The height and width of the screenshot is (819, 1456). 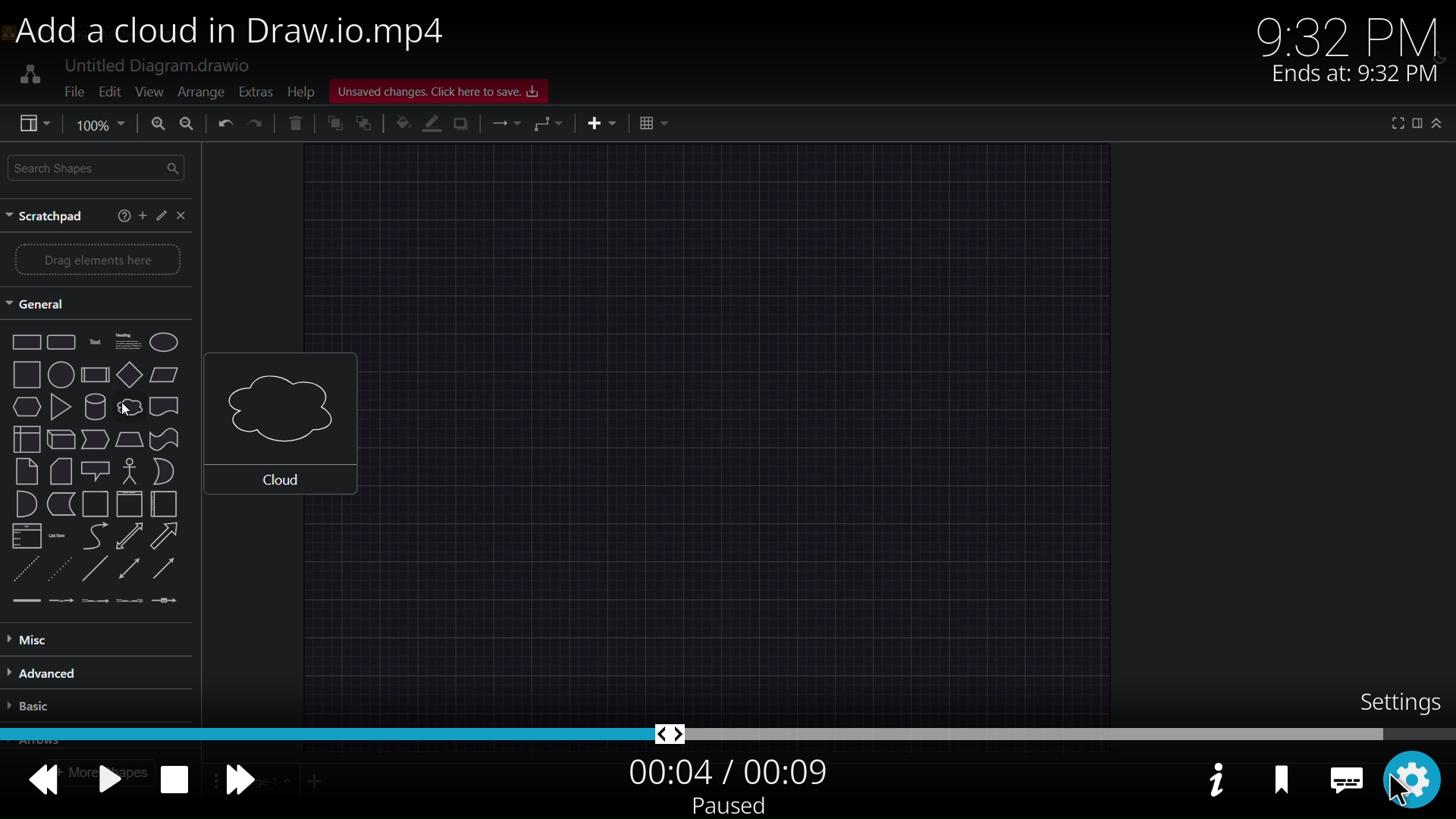 I want to click on video info, so click(x=1212, y=780).